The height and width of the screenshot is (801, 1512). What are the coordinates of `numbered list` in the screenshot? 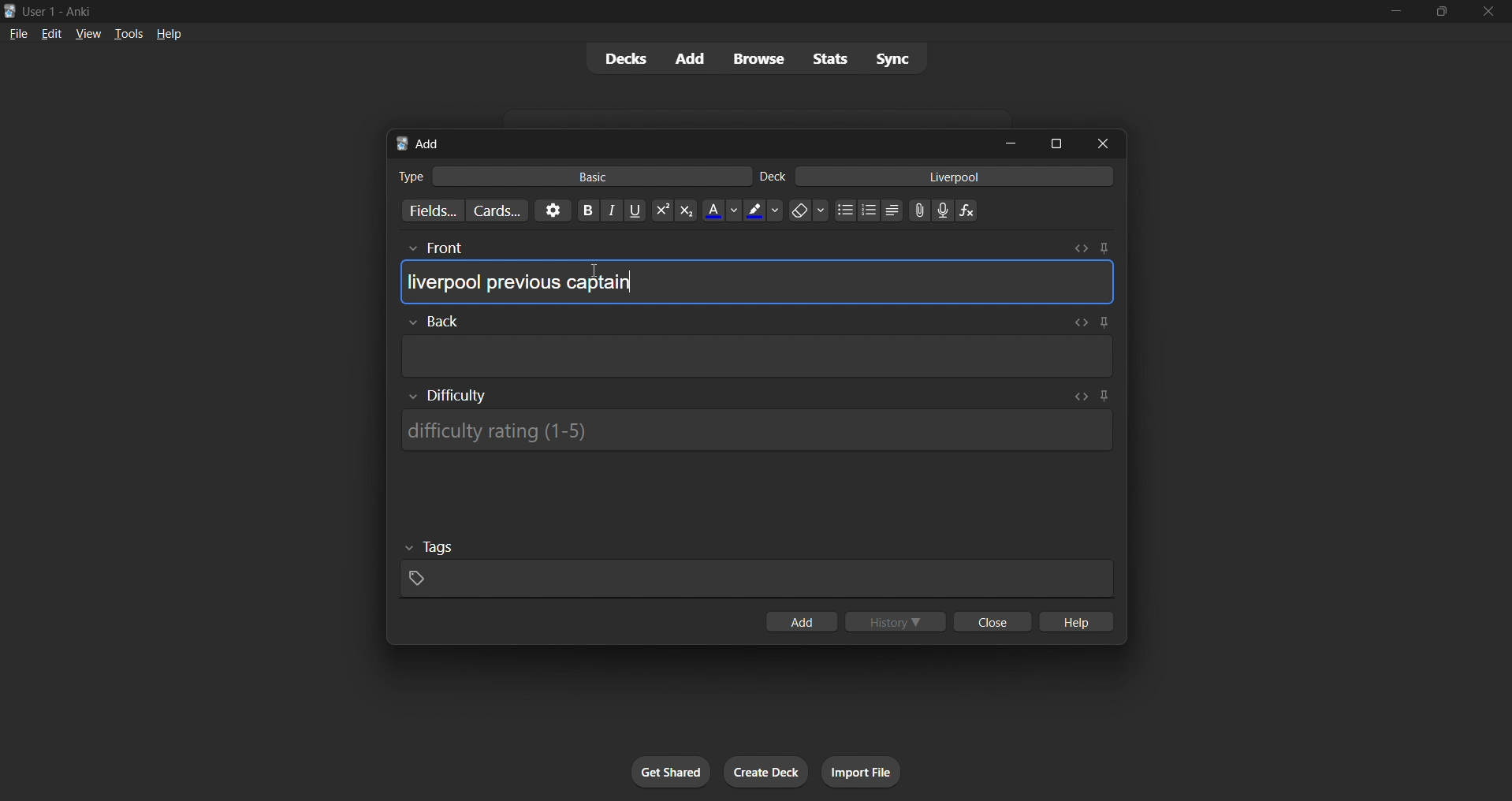 It's located at (870, 212).